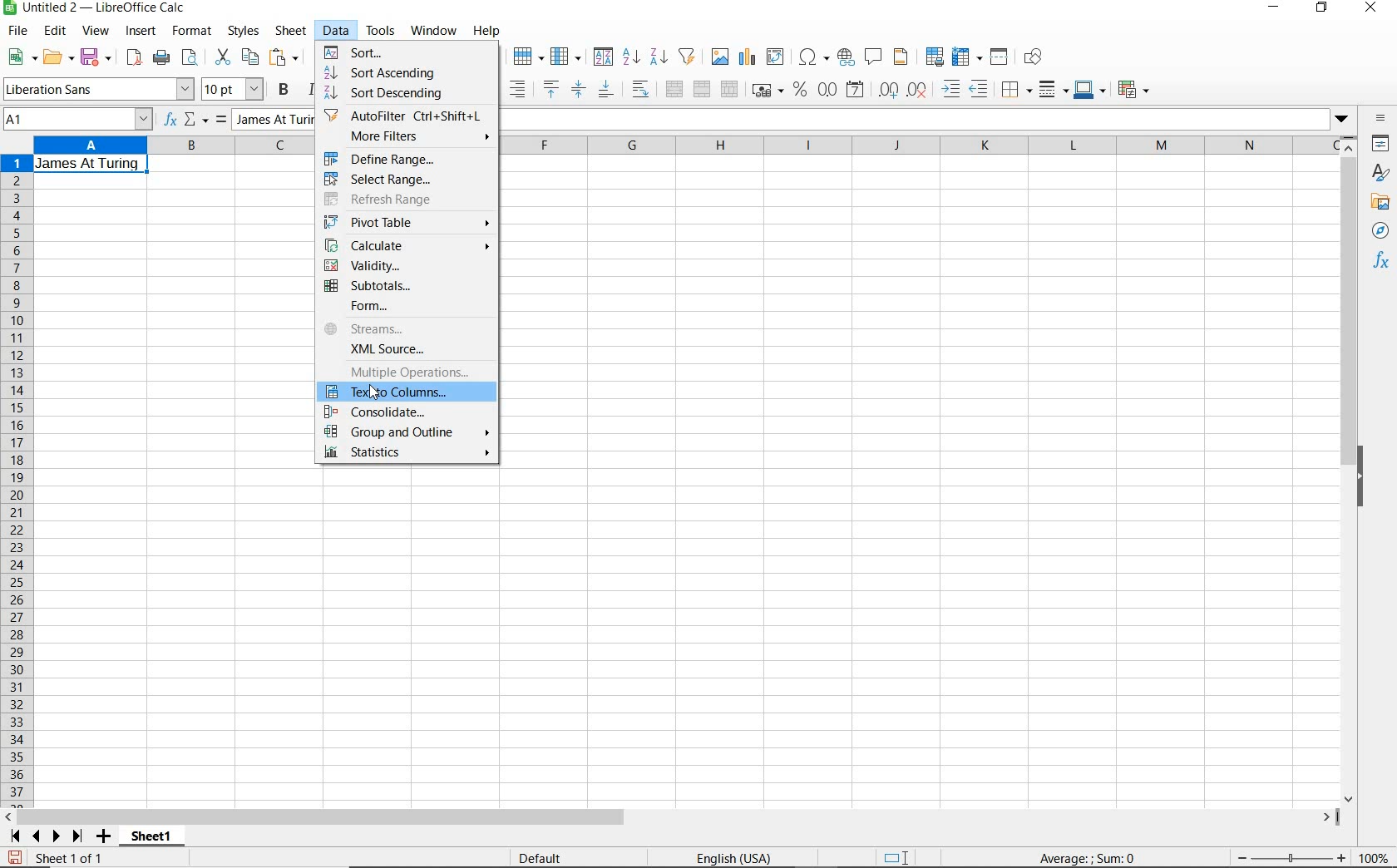 Image resolution: width=1397 pixels, height=868 pixels. Describe the element at coordinates (767, 91) in the screenshot. I see `format as currency` at that location.